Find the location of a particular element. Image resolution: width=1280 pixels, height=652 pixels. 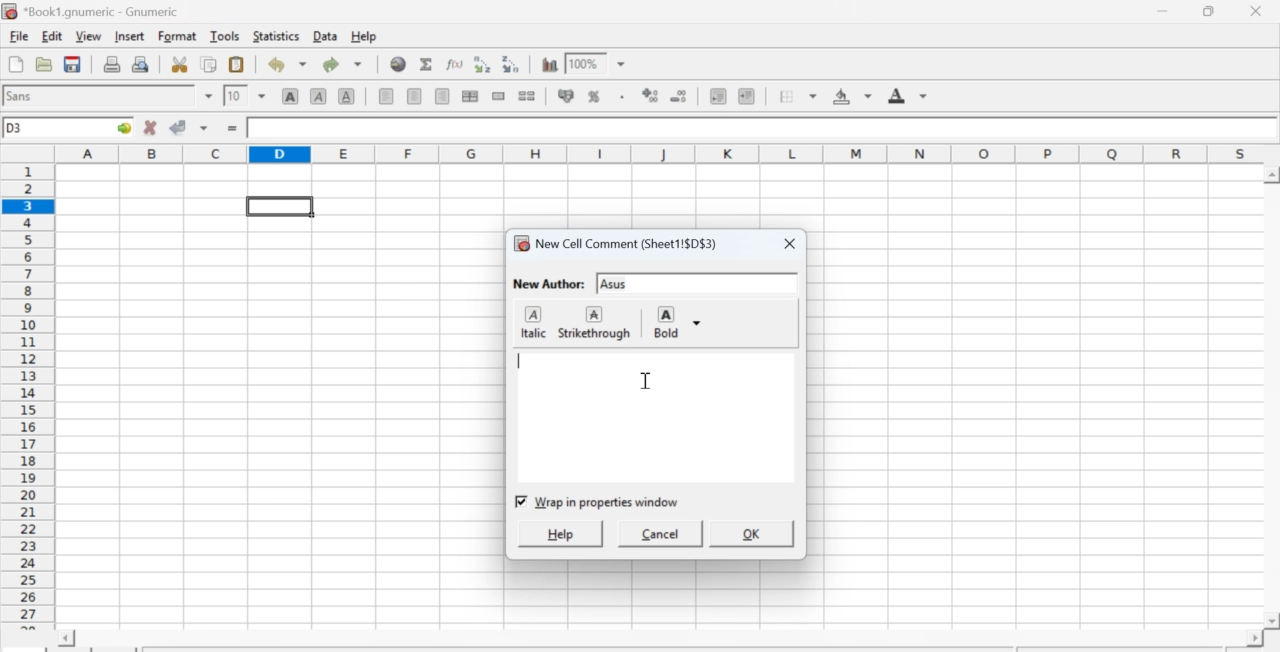

Cut is located at coordinates (180, 64).